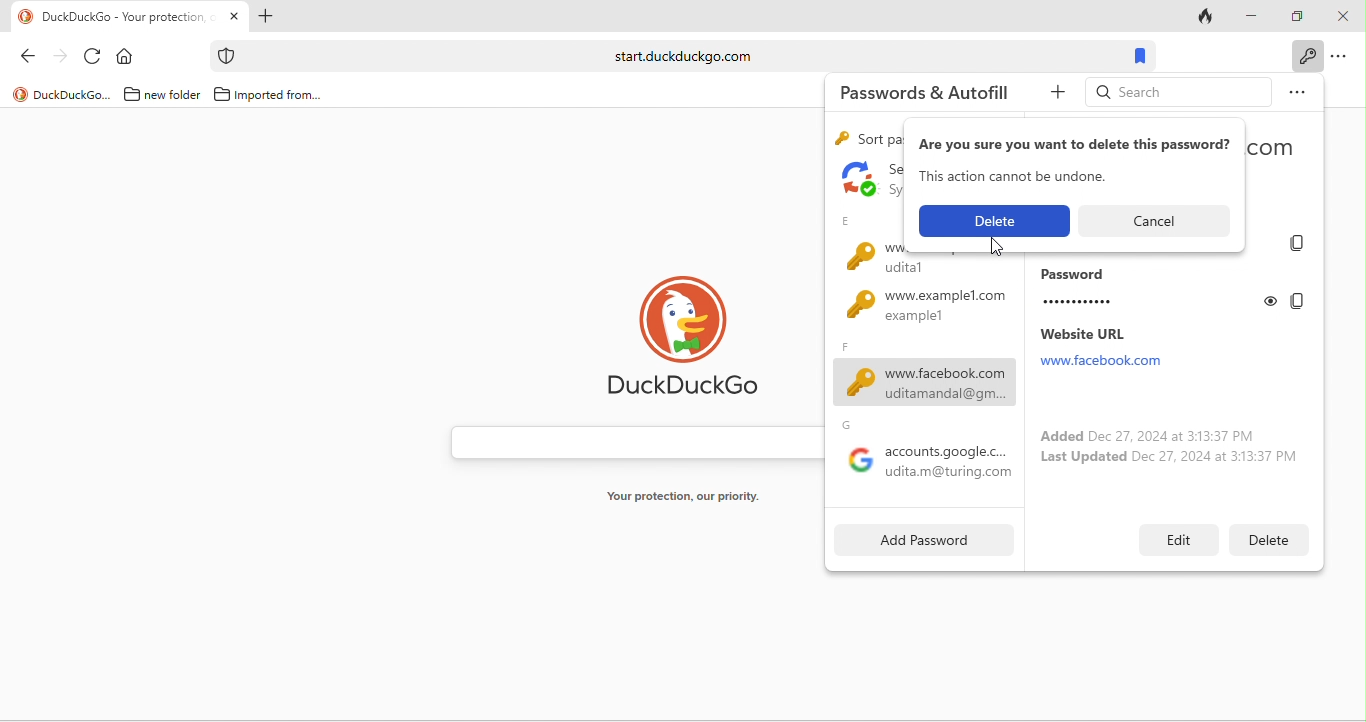 The width and height of the screenshot is (1366, 722). Describe the element at coordinates (127, 58) in the screenshot. I see `home` at that location.